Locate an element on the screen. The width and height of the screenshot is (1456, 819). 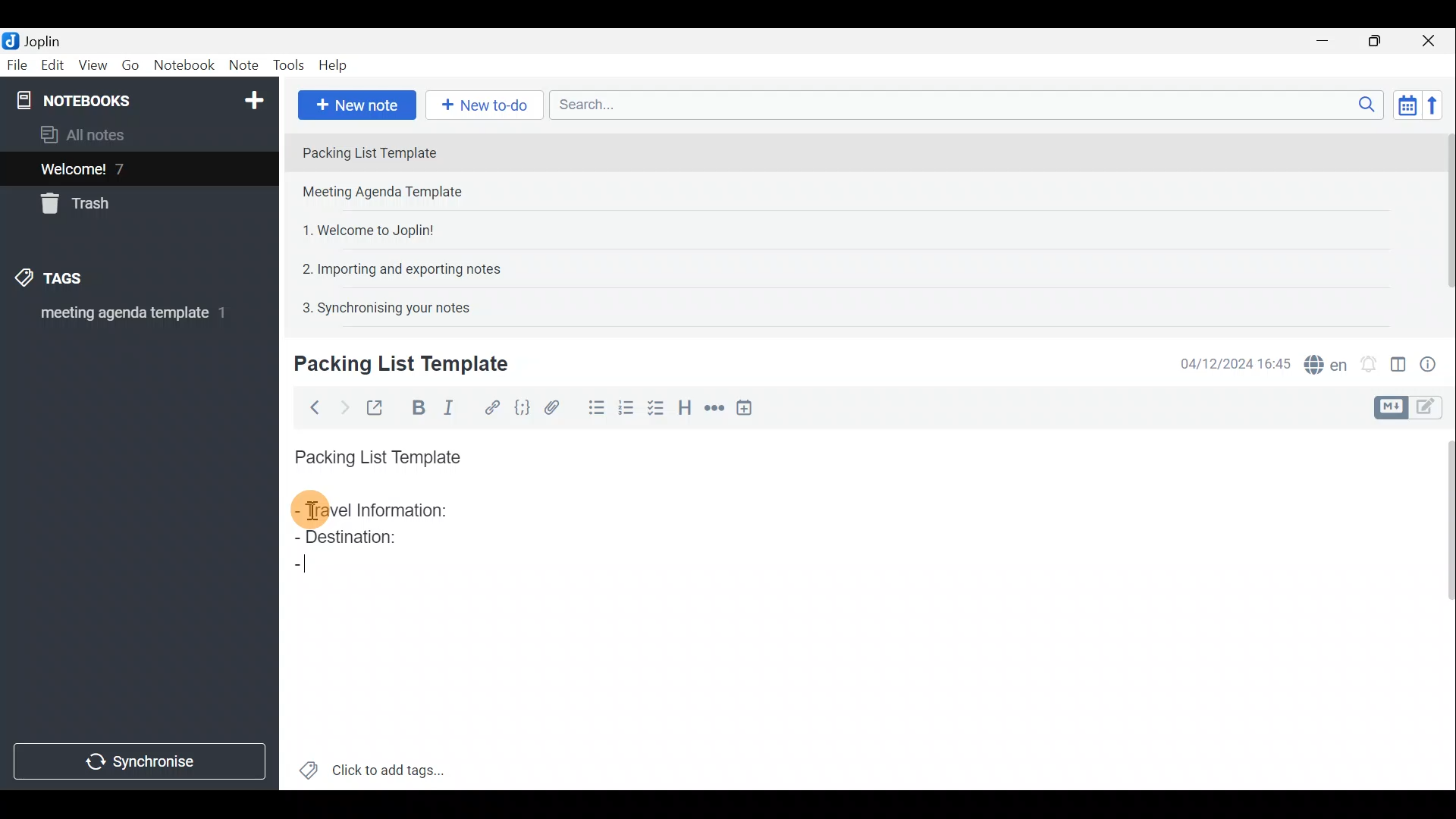
Insert time is located at coordinates (749, 407).